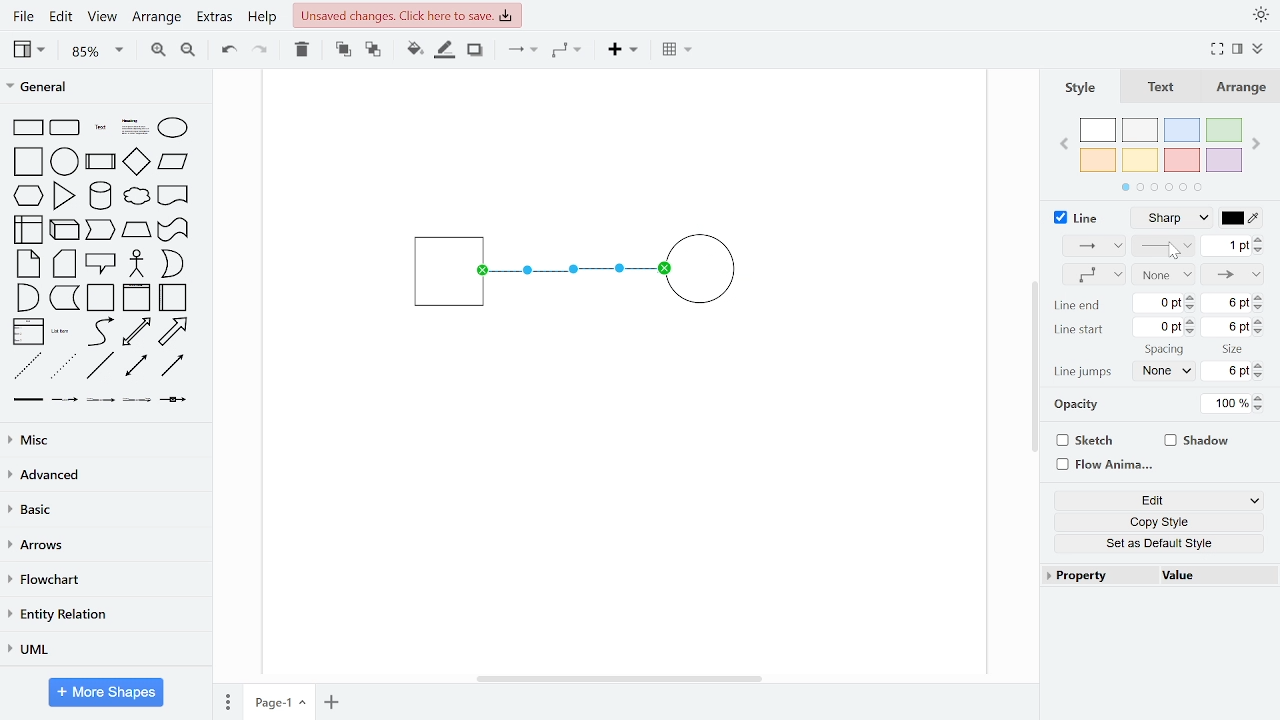 The image size is (1280, 720). I want to click on vertical container, so click(136, 298).